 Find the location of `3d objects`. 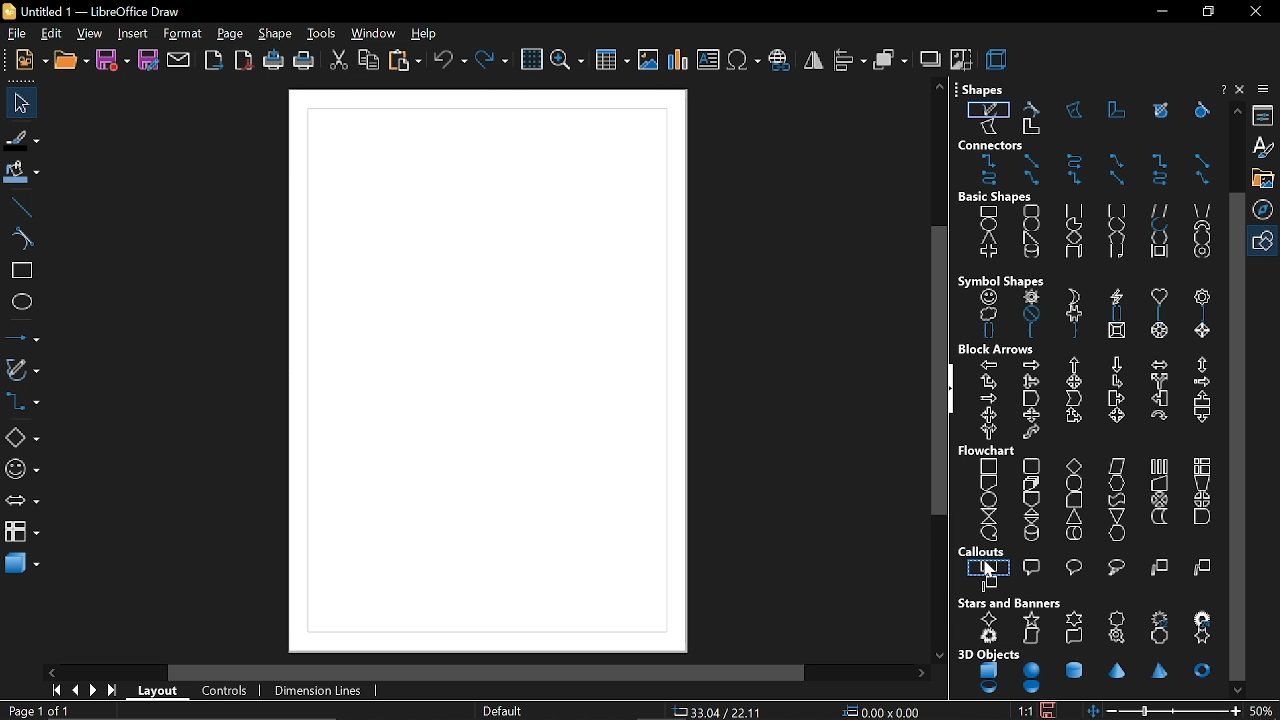

3d objects is located at coordinates (988, 654).